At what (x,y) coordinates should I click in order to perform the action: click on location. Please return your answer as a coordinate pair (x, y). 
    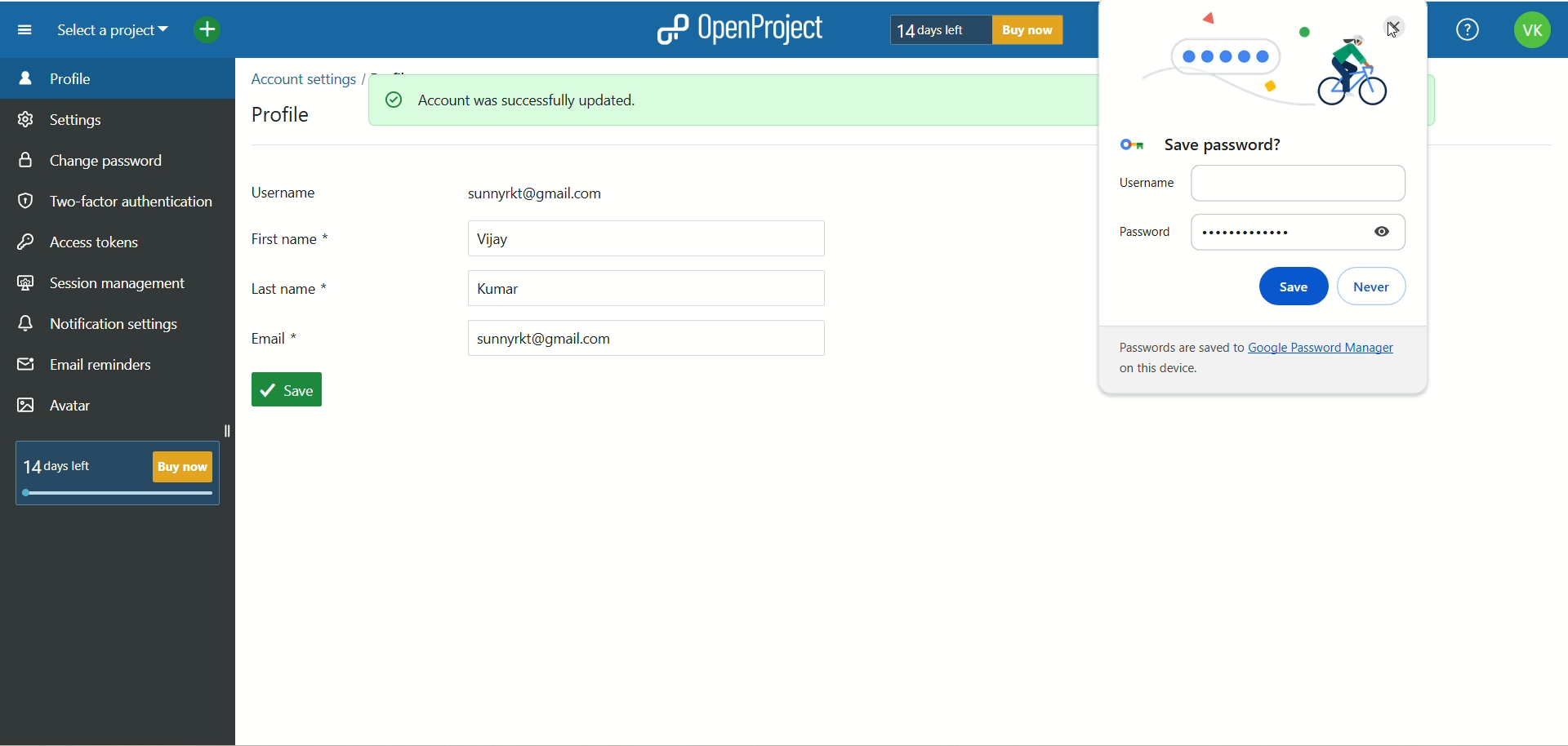
    Looking at the image, I should click on (340, 77).